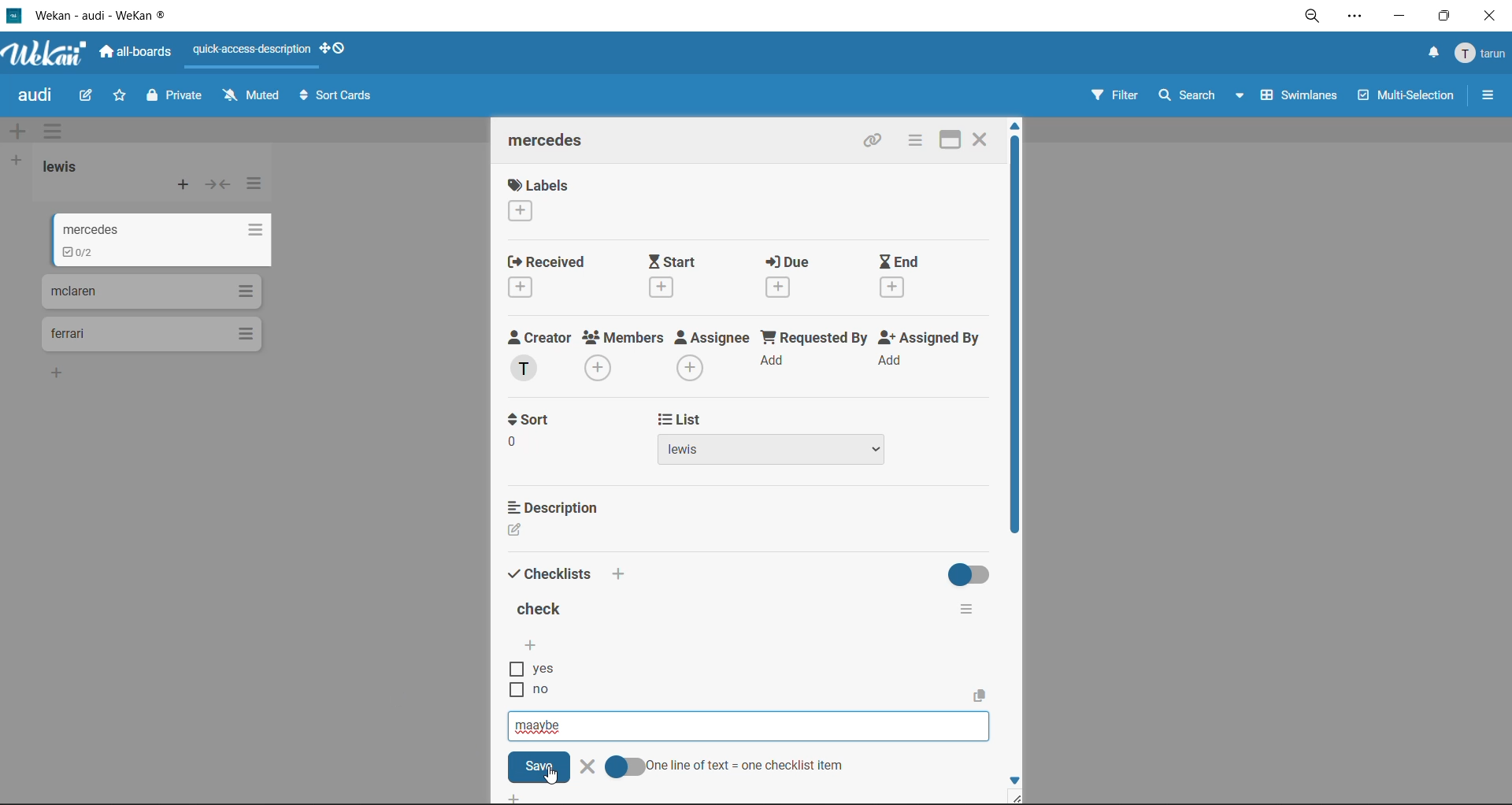  I want to click on Add End Time, so click(898, 287).